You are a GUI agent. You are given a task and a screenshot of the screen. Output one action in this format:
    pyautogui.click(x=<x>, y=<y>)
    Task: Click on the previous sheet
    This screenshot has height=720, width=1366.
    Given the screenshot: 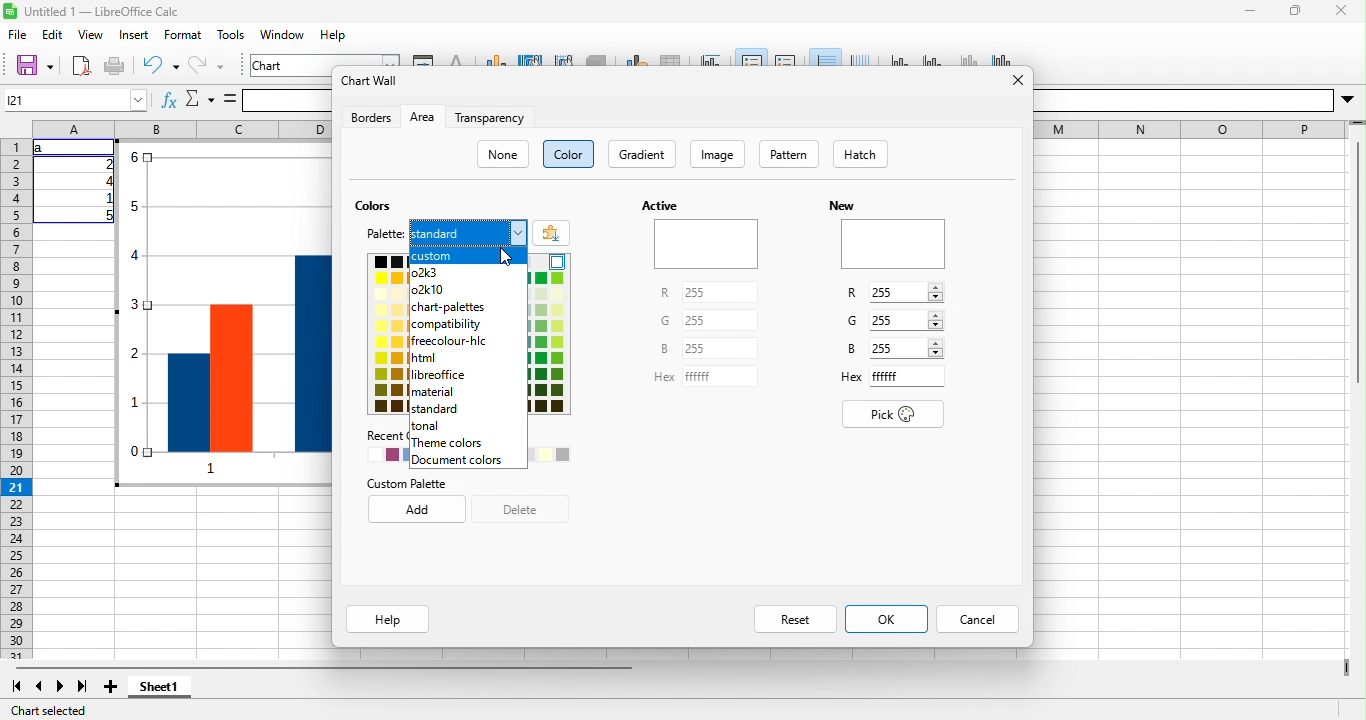 What is the action you would take?
    pyautogui.click(x=38, y=686)
    